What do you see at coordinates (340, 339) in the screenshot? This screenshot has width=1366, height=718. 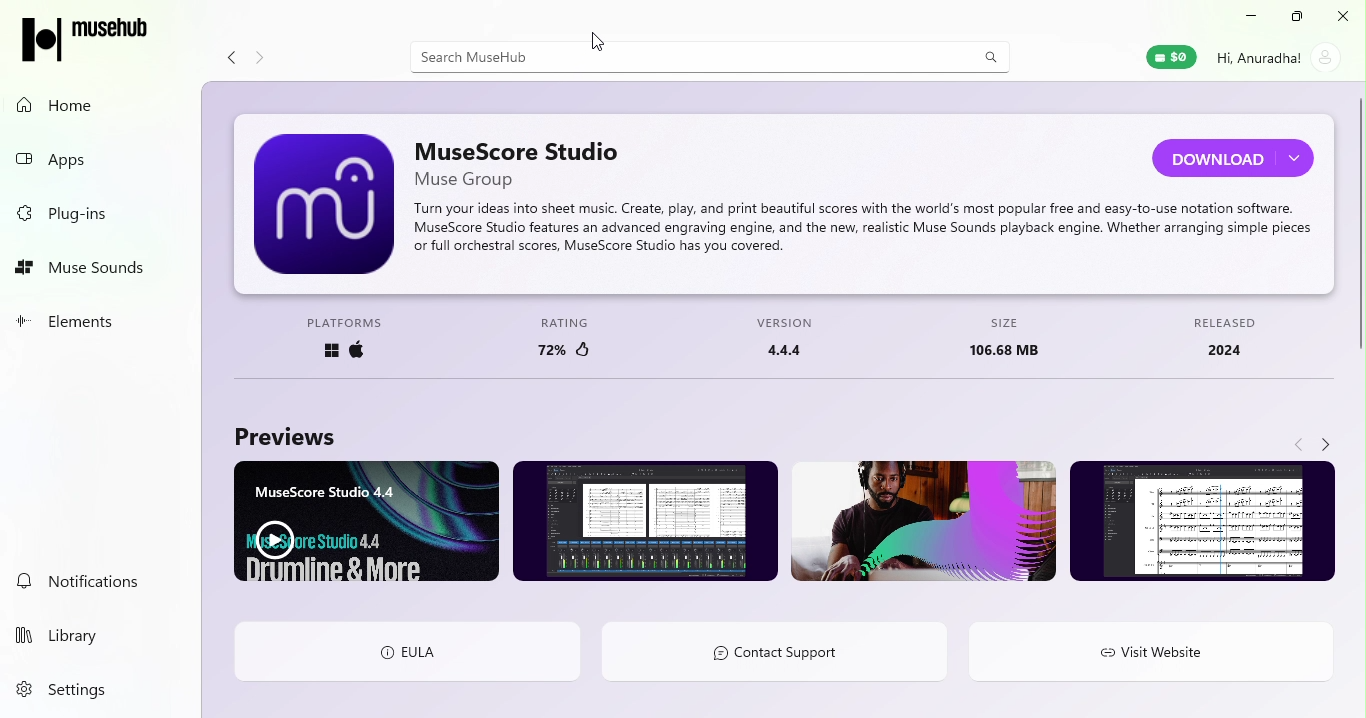 I see `Platforms` at bounding box center [340, 339].